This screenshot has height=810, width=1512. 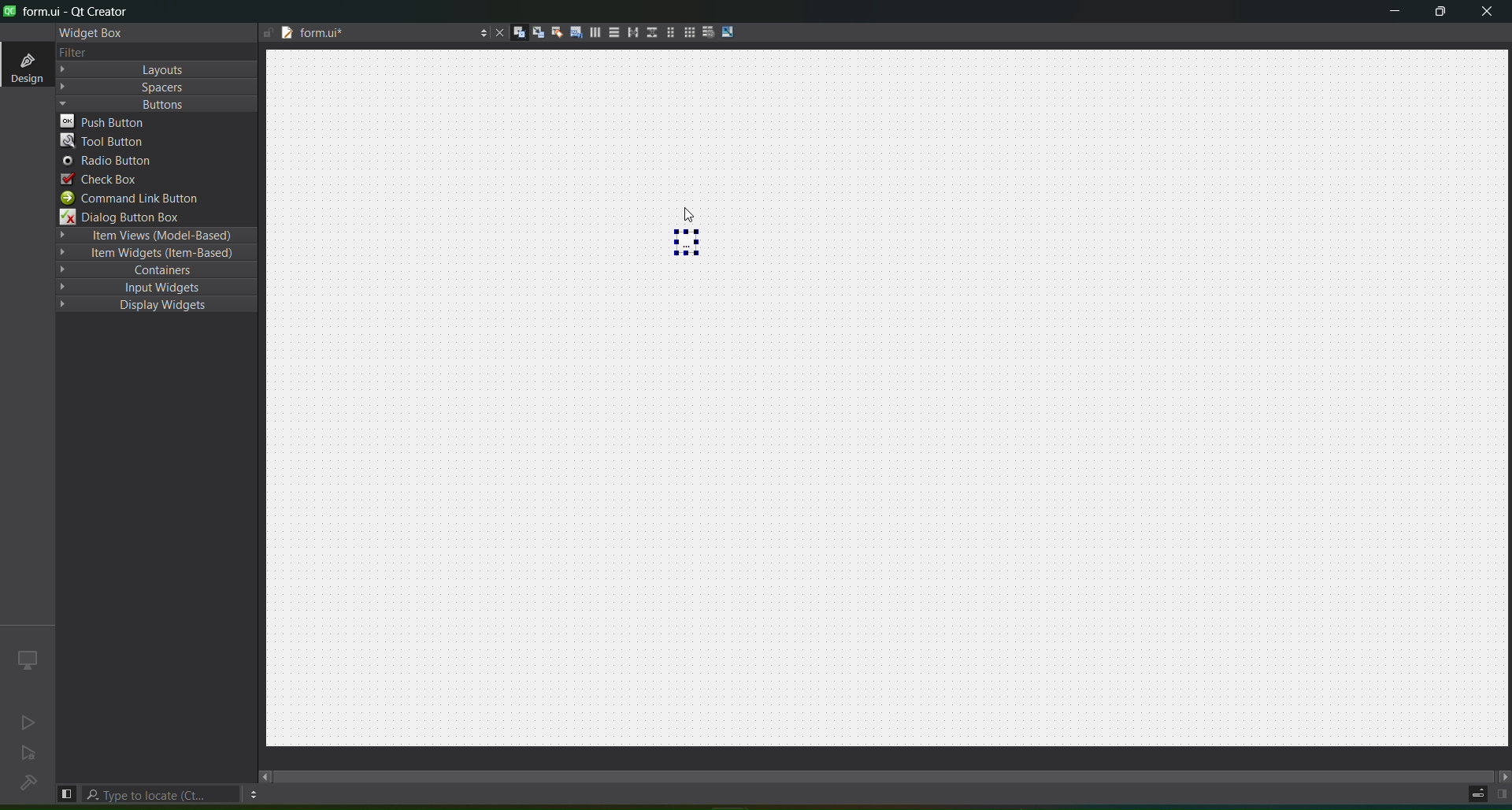 What do you see at coordinates (594, 32) in the screenshot?
I see `layout horizontally` at bounding box center [594, 32].